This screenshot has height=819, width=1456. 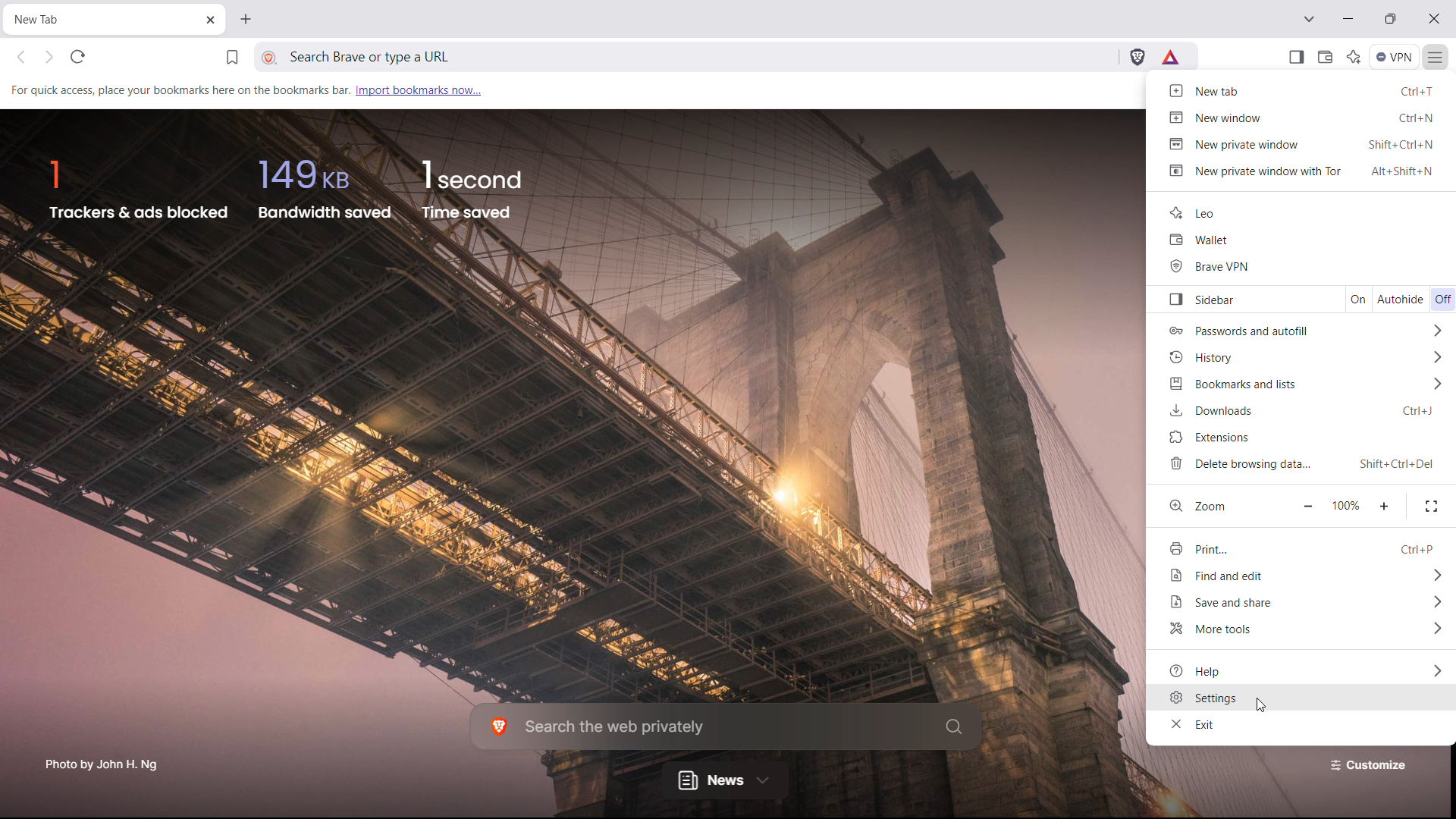 What do you see at coordinates (1305, 631) in the screenshot?
I see `more tools` at bounding box center [1305, 631].